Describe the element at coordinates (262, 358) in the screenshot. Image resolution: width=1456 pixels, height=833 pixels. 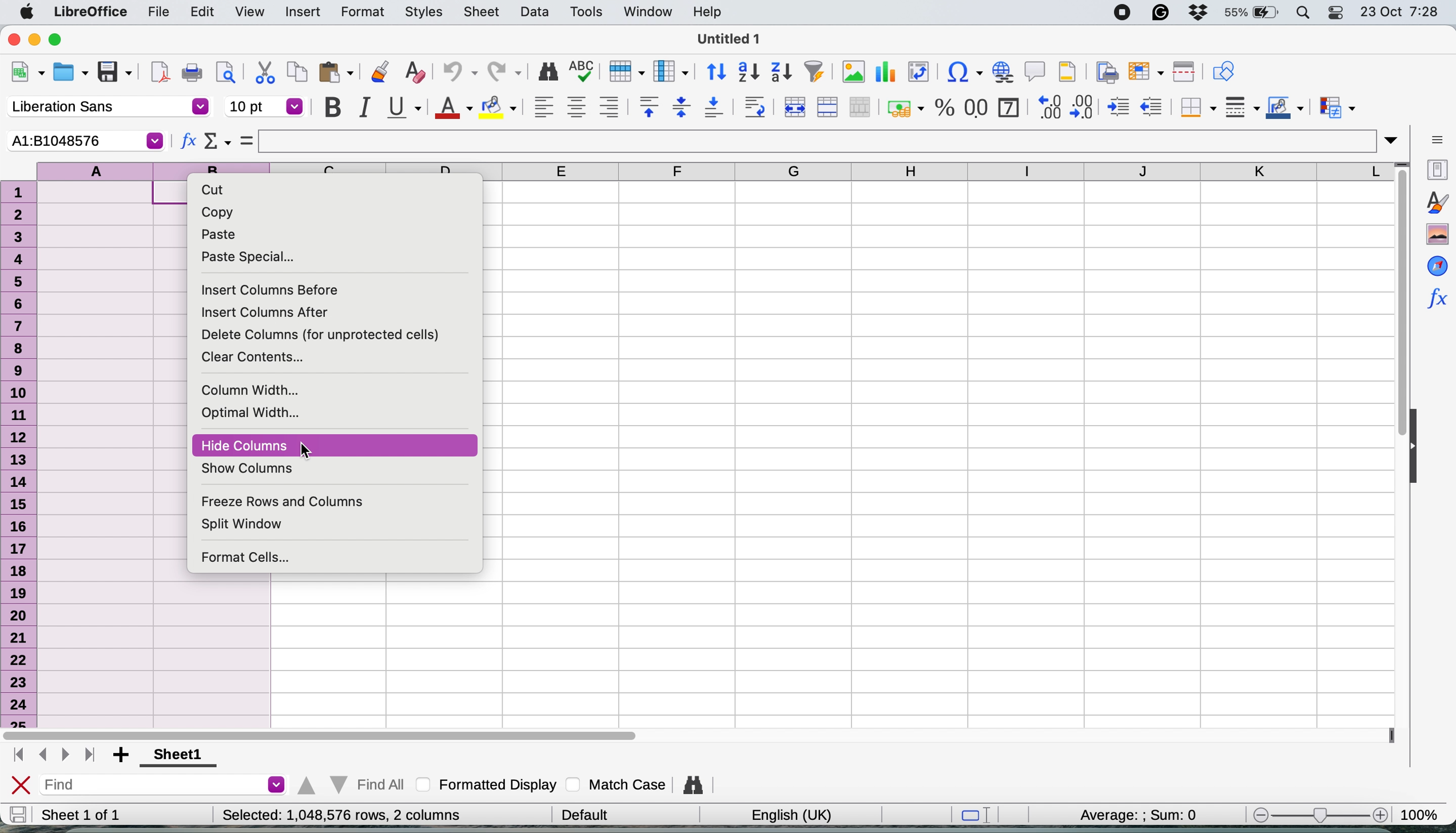
I see `clear contents` at that location.